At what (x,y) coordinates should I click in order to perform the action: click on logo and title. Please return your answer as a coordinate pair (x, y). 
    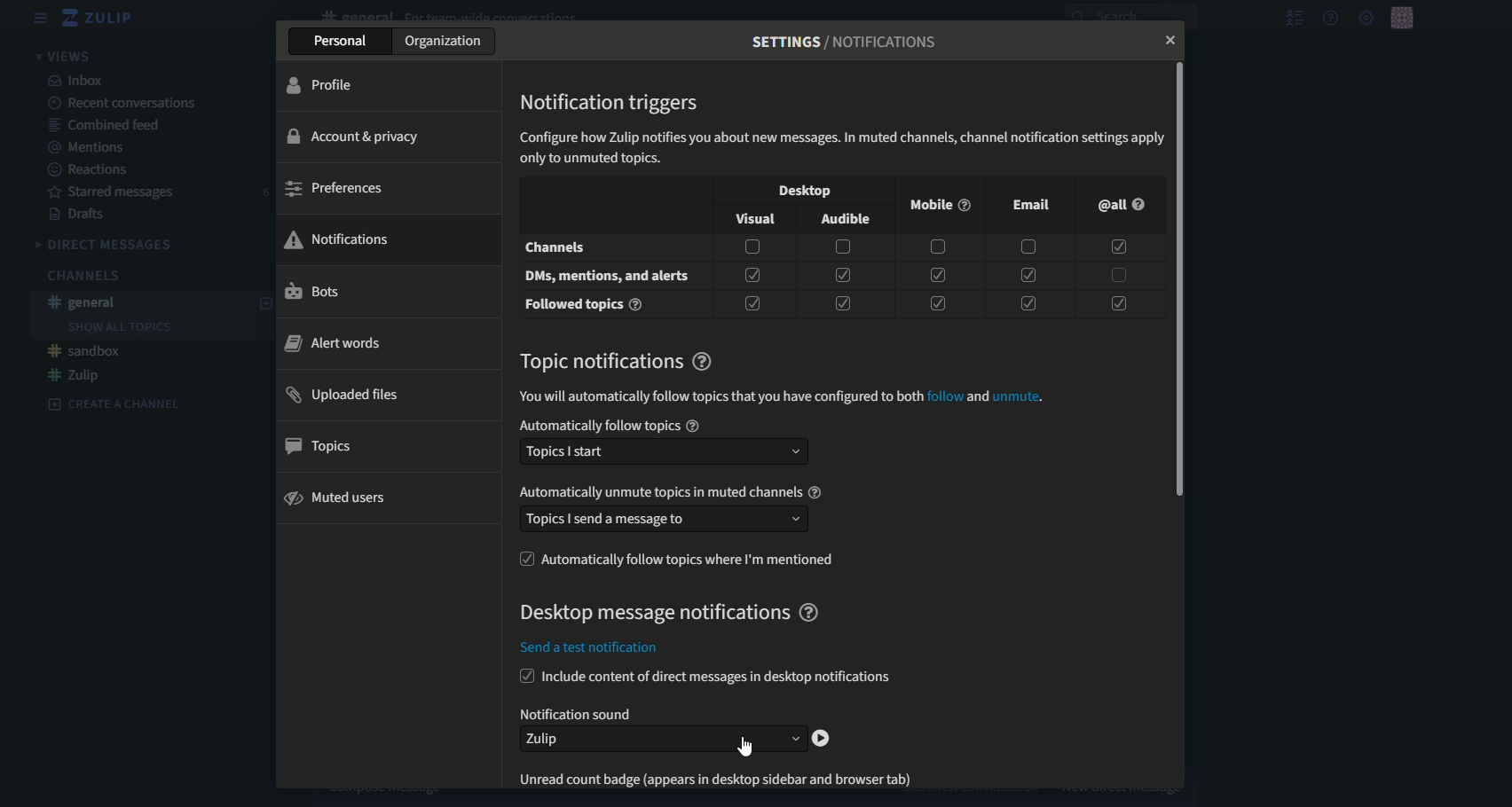
    Looking at the image, I should click on (99, 18).